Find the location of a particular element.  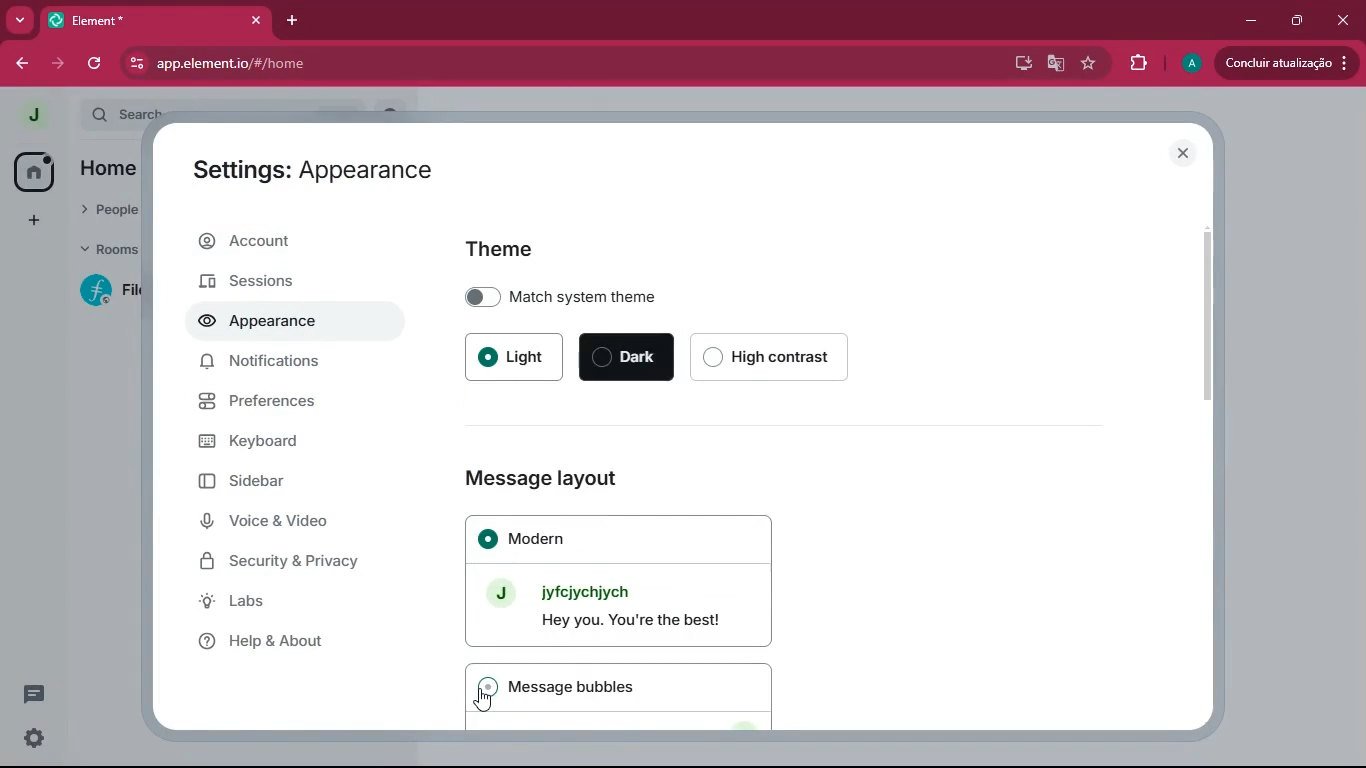

theme  is located at coordinates (523, 247).